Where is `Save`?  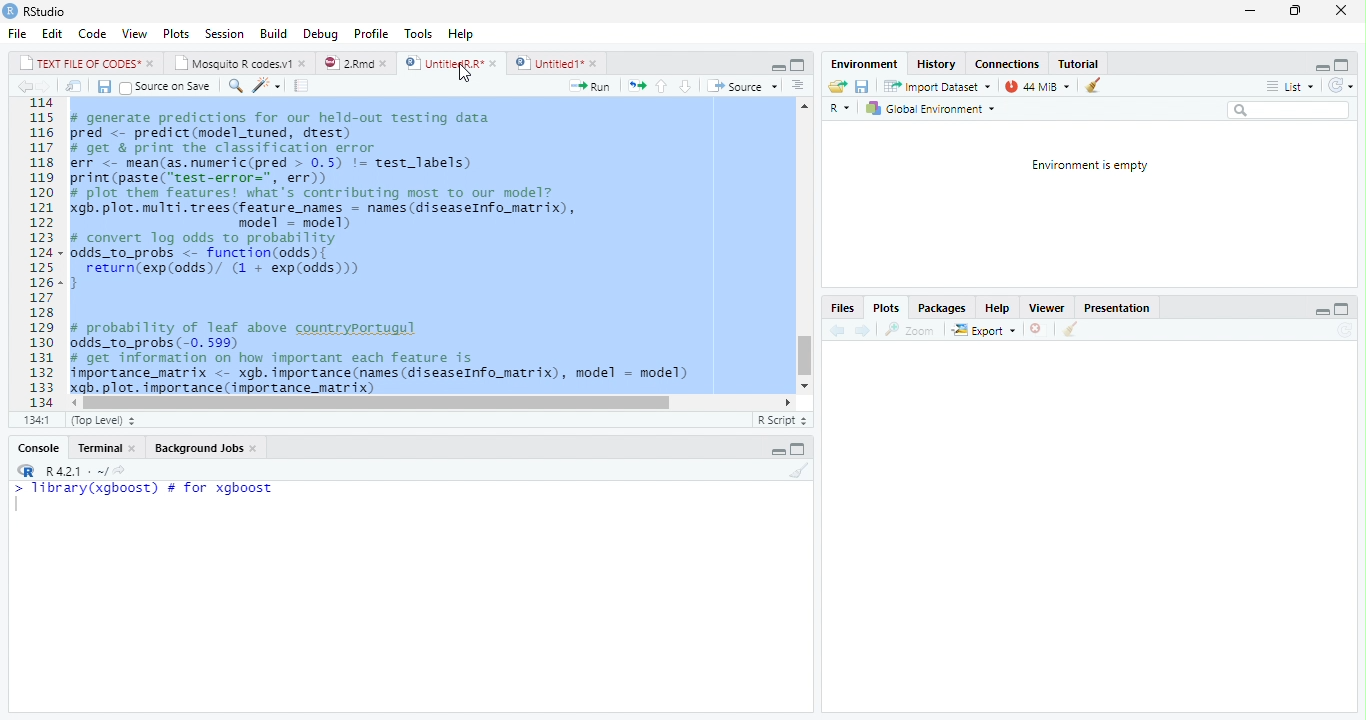 Save is located at coordinates (101, 85).